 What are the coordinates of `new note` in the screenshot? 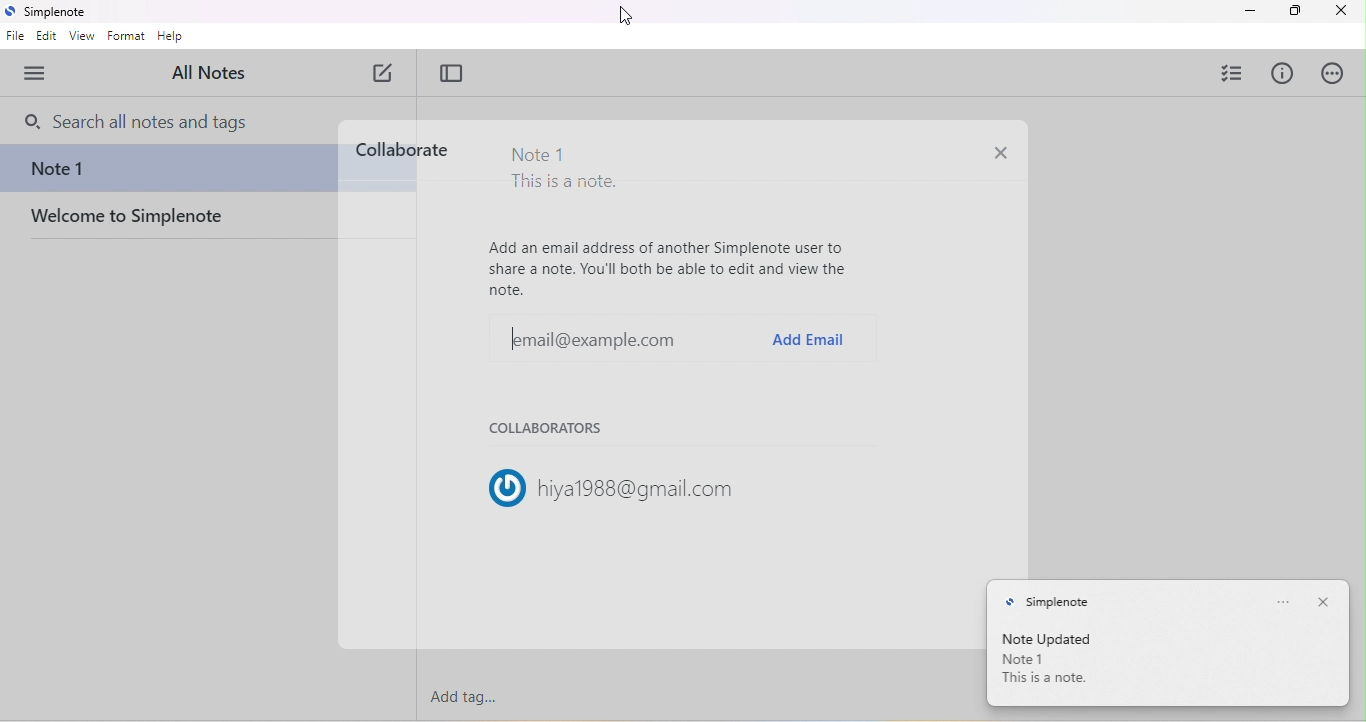 It's located at (385, 73).